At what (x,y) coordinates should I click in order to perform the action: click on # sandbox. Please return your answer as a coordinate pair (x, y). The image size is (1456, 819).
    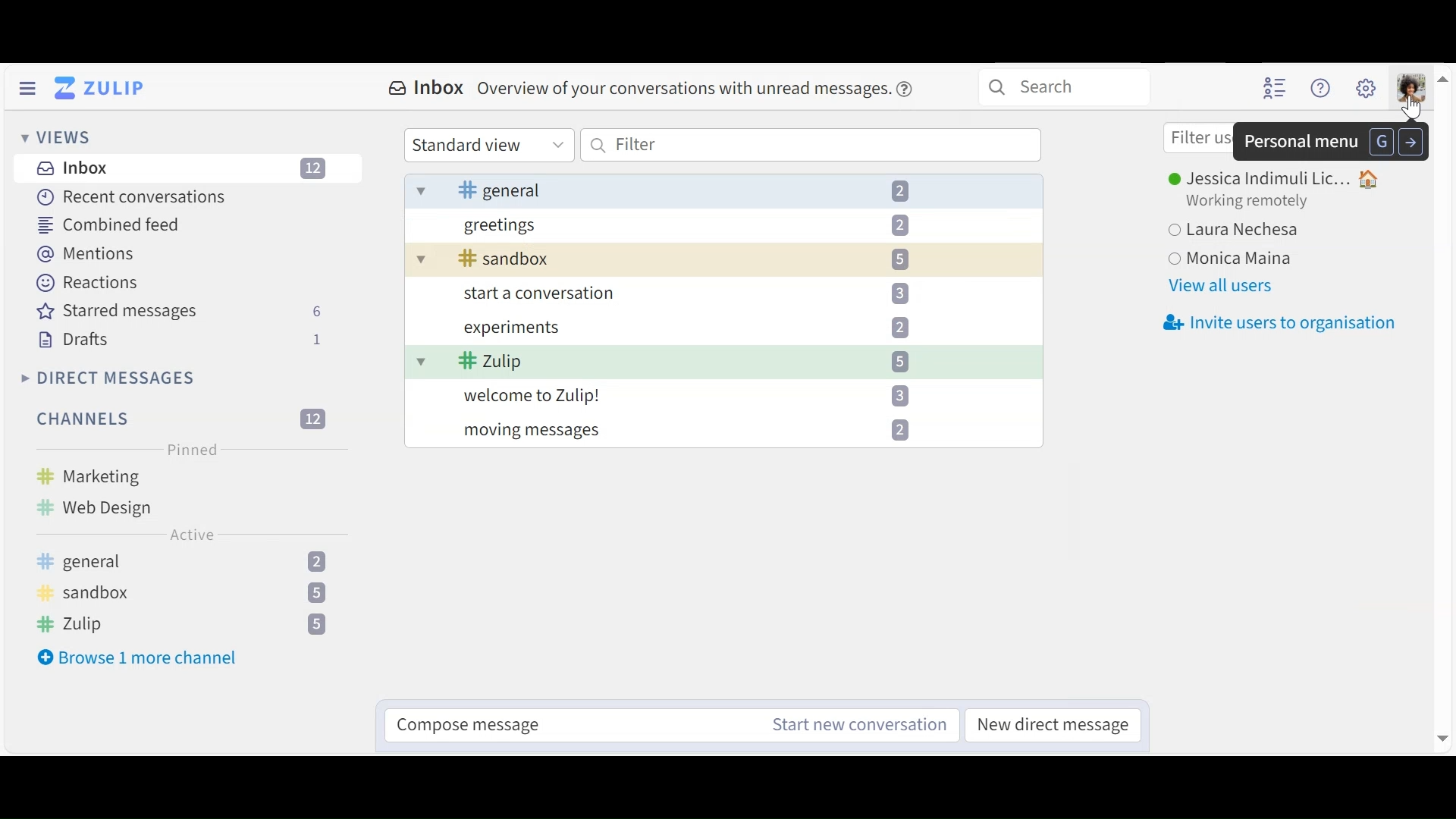
    Looking at the image, I should click on (184, 594).